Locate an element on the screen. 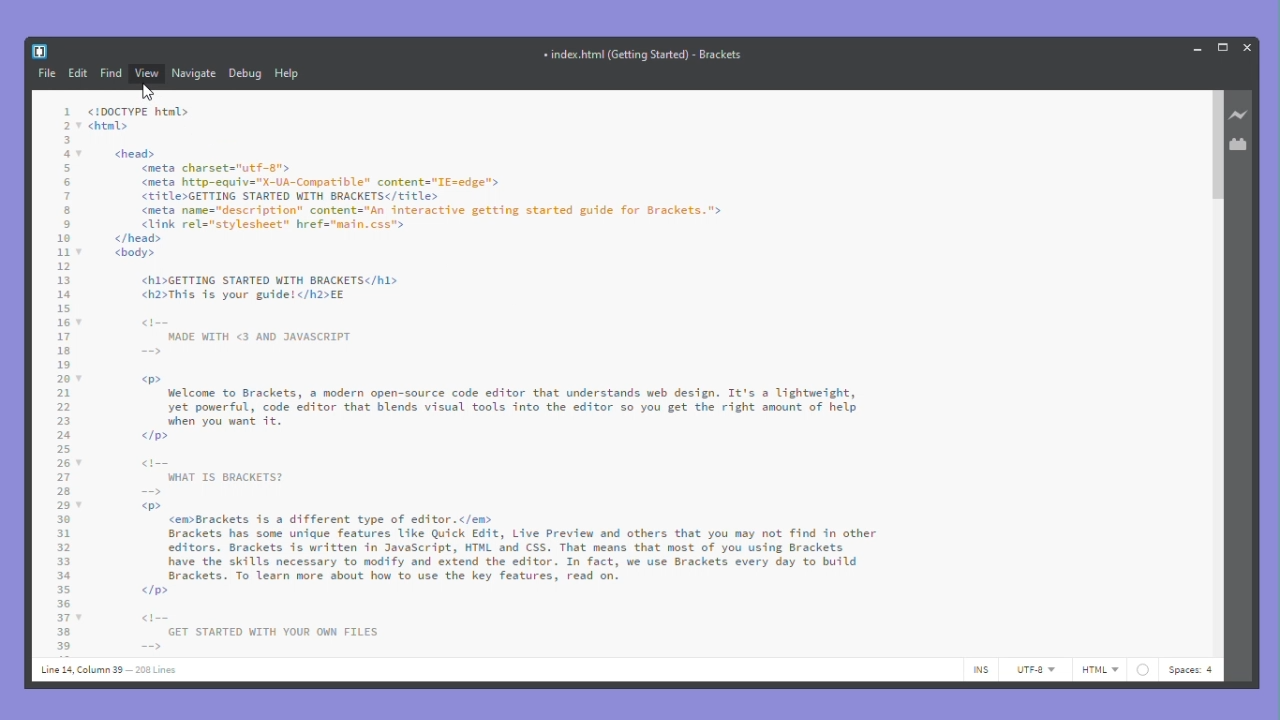  Maximize is located at coordinates (1225, 46).